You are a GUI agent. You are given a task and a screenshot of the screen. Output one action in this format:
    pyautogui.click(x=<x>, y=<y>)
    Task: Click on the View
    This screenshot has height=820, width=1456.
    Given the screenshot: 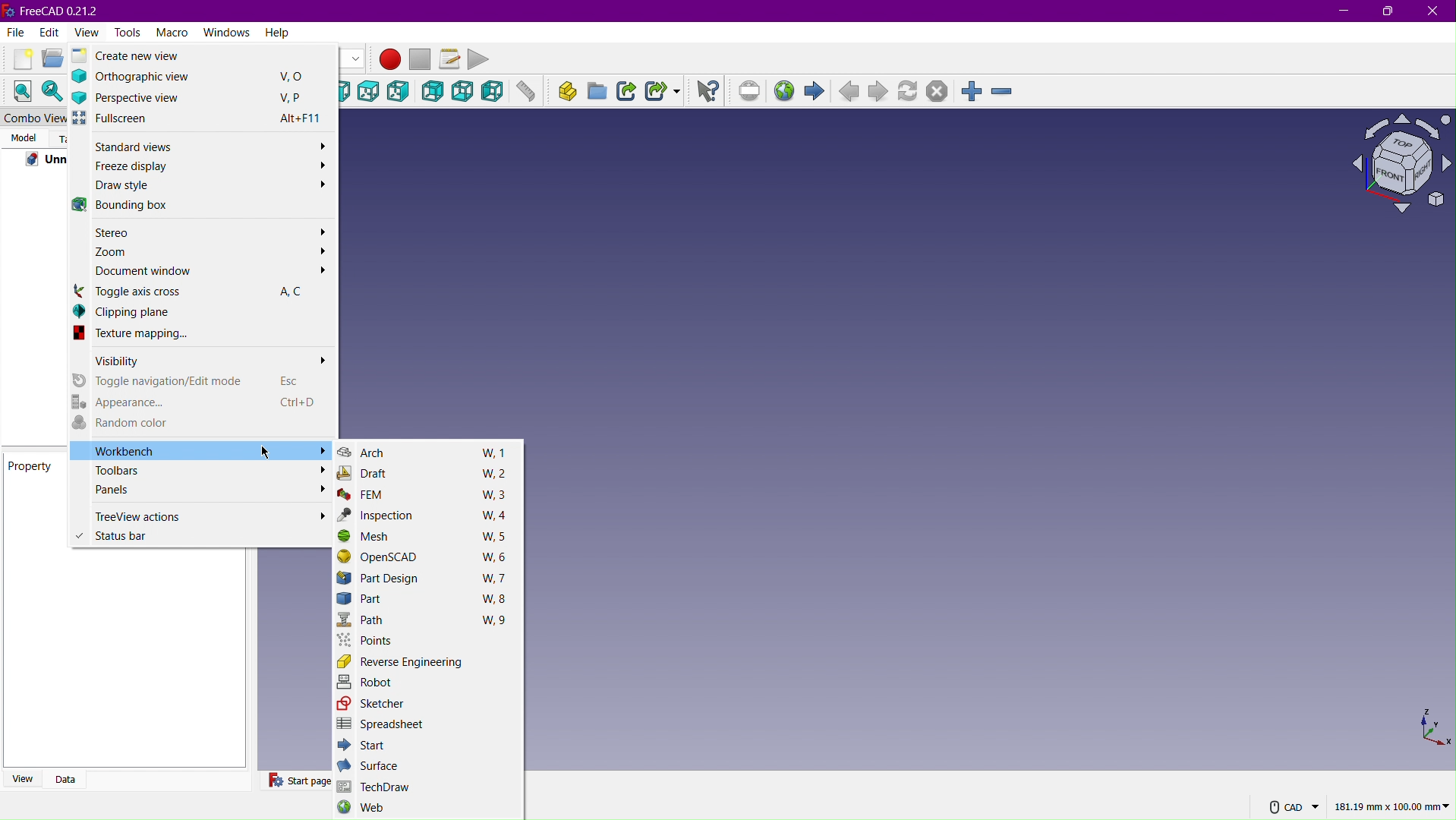 What is the action you would take?
    pyautogui.click(x=23, y=777)
    